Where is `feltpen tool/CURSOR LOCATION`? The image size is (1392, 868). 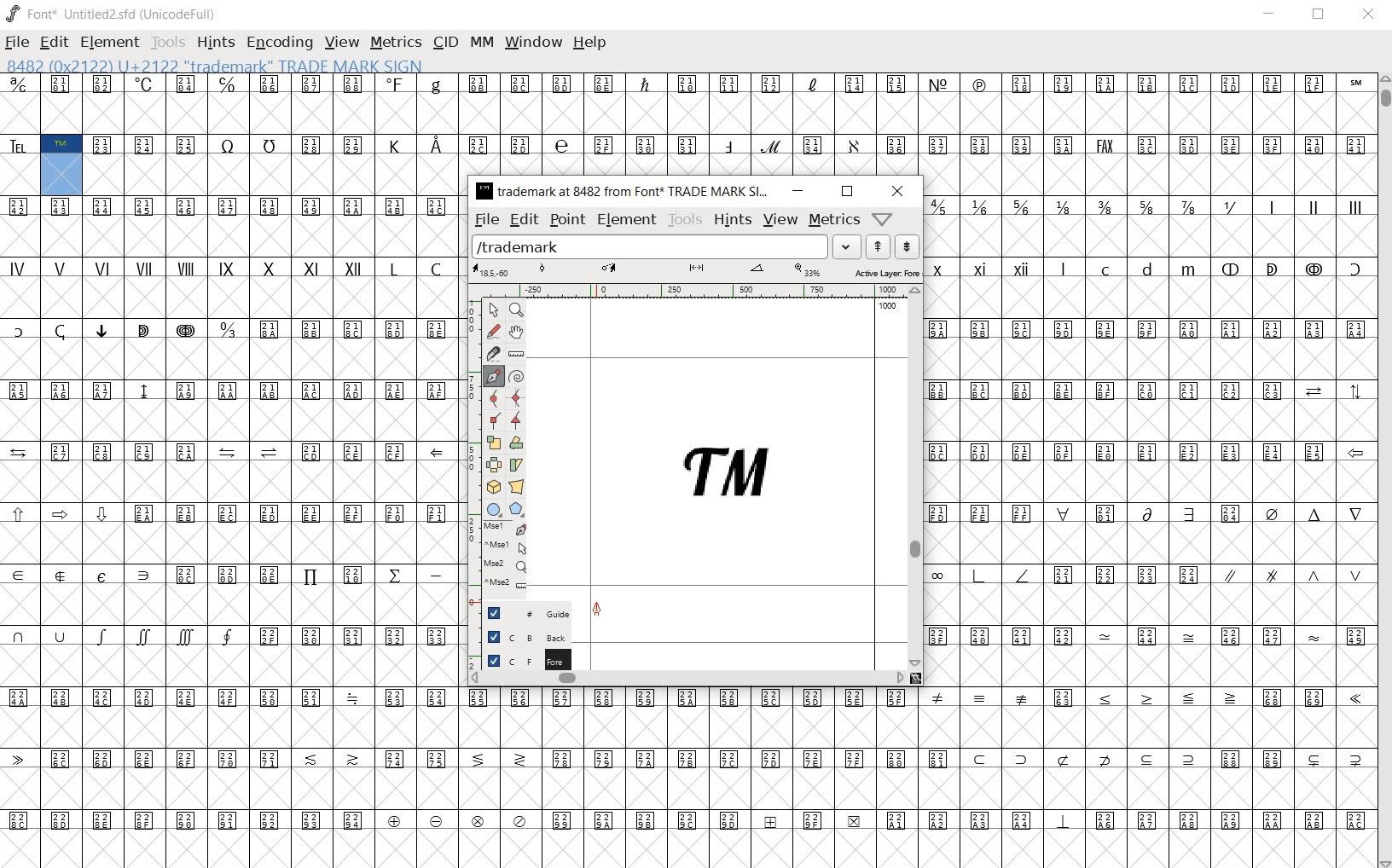
feltpen tool/CURSOR LOCATION is located at coordinates (597, 610).